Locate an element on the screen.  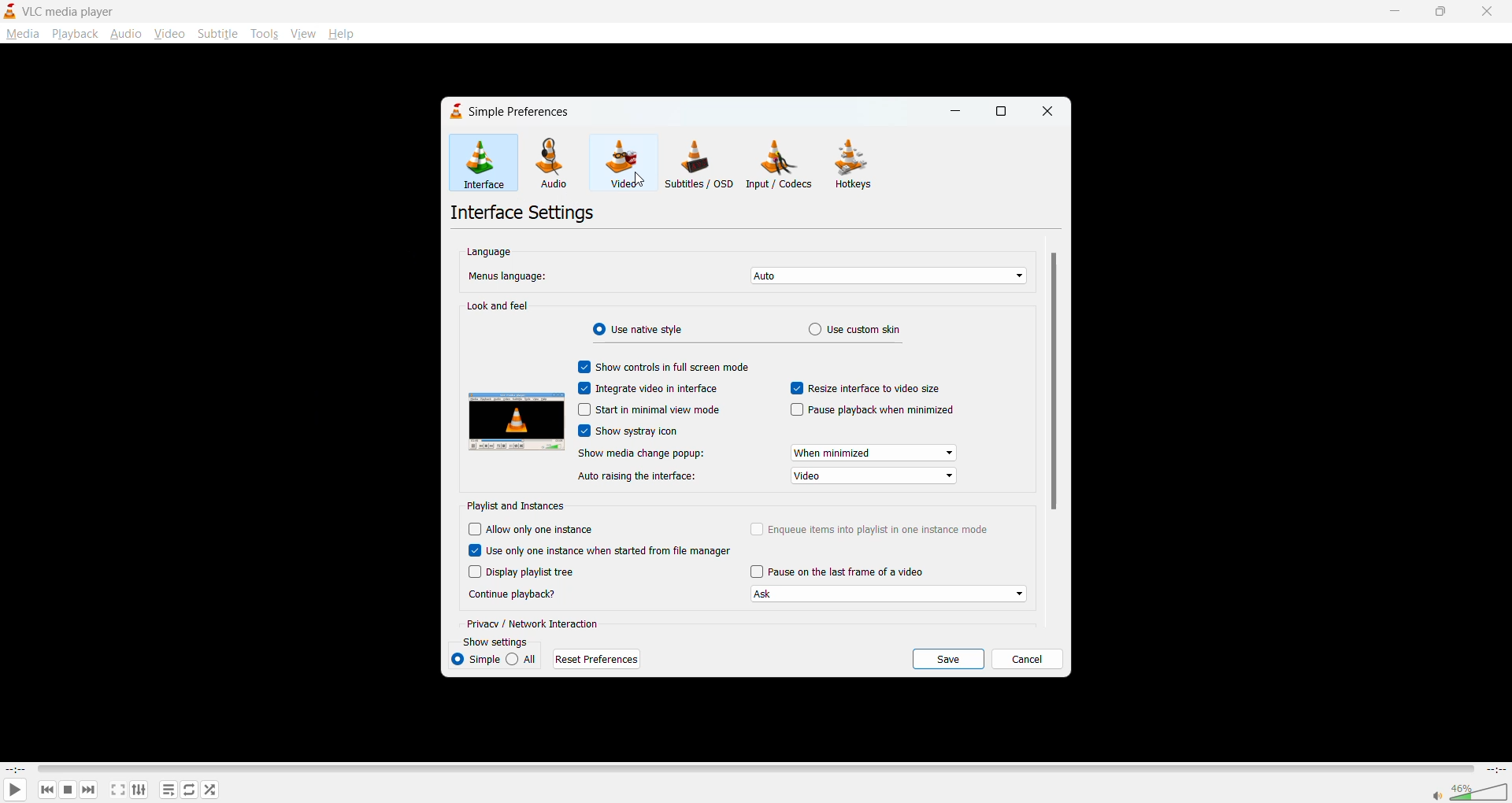
cursor is located at coordinates (638, 181).